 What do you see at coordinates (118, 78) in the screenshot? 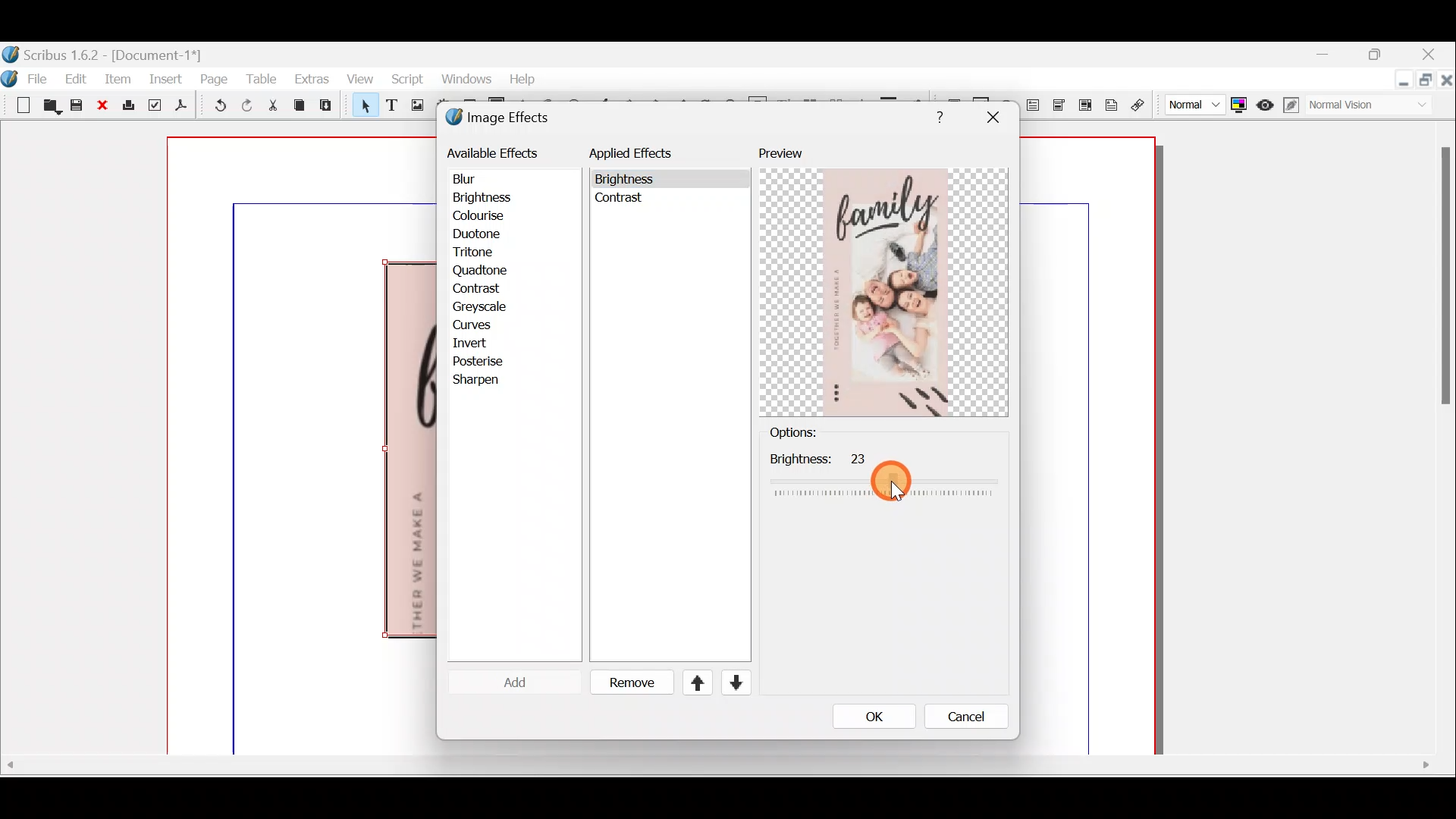
I see `Item` at bounding box center [118, 78].